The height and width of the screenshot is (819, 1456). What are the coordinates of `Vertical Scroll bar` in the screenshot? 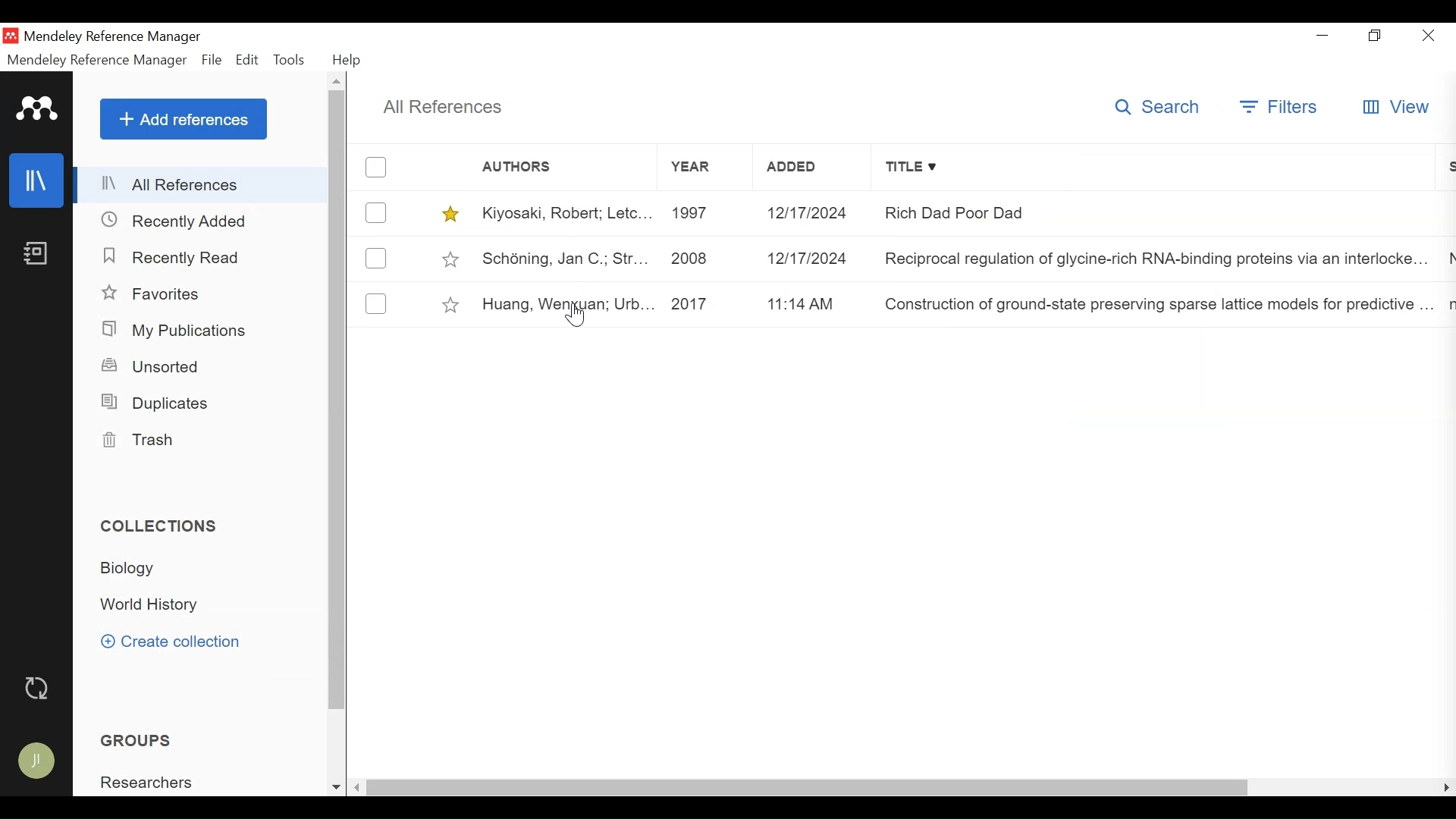 It's located at (338, 400).